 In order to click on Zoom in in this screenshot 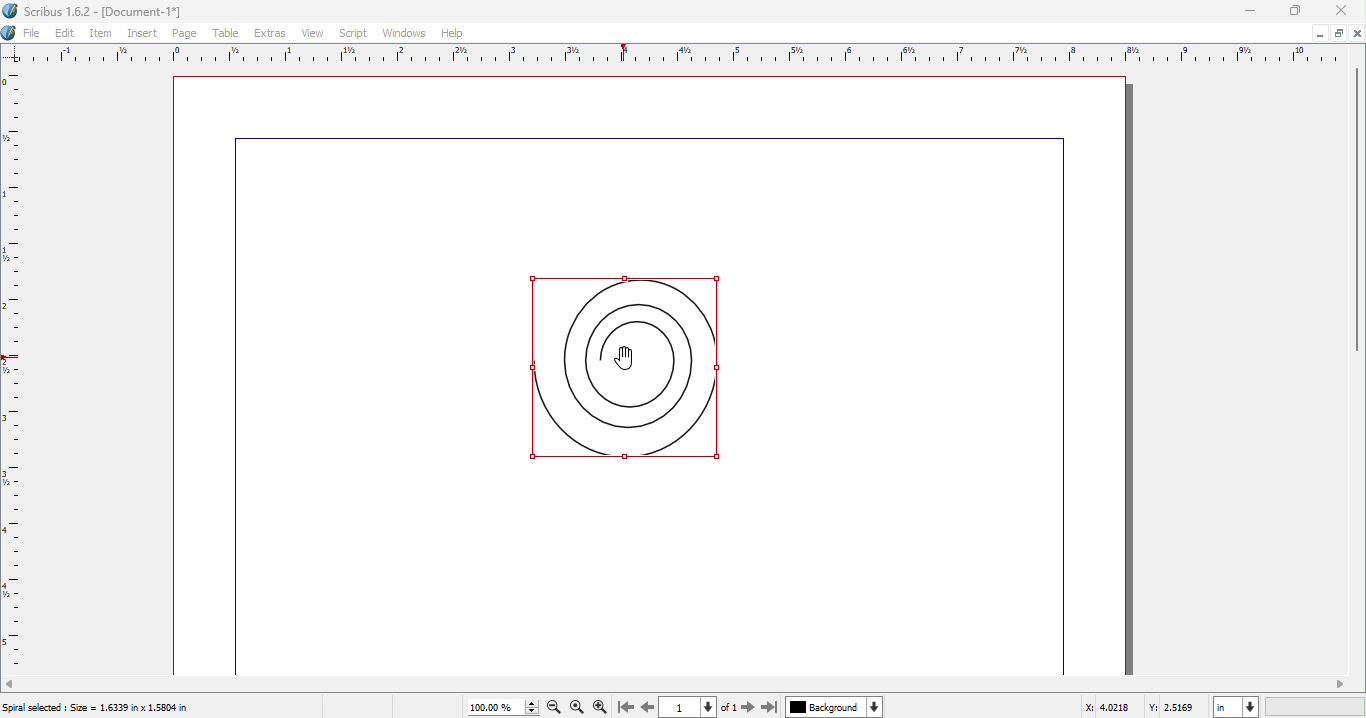, I will do `click(602, 707)`.